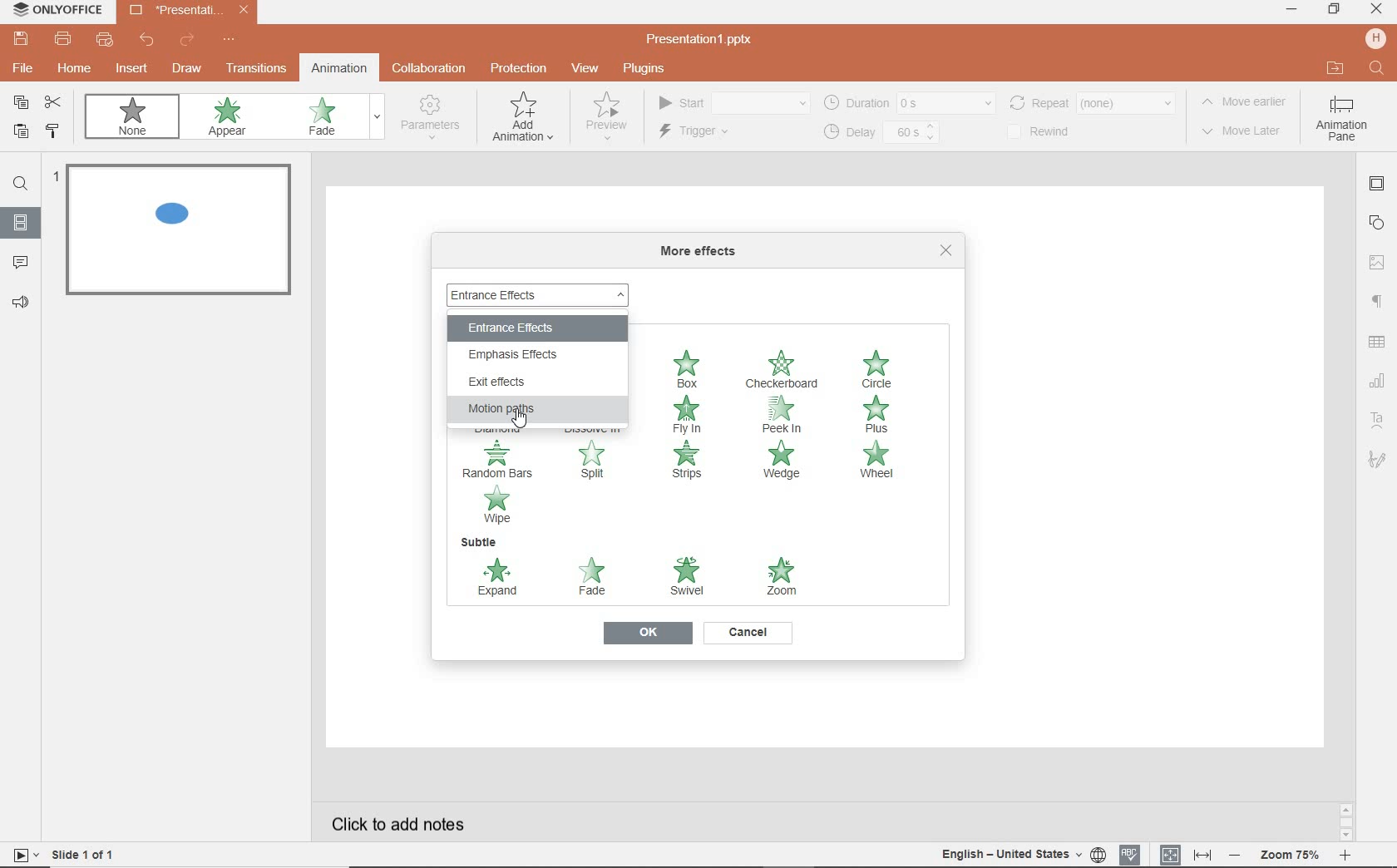 Image resolution: width=1397 pixels, height=868 pixels. I want to click on WHEEL, so click(876, 462).